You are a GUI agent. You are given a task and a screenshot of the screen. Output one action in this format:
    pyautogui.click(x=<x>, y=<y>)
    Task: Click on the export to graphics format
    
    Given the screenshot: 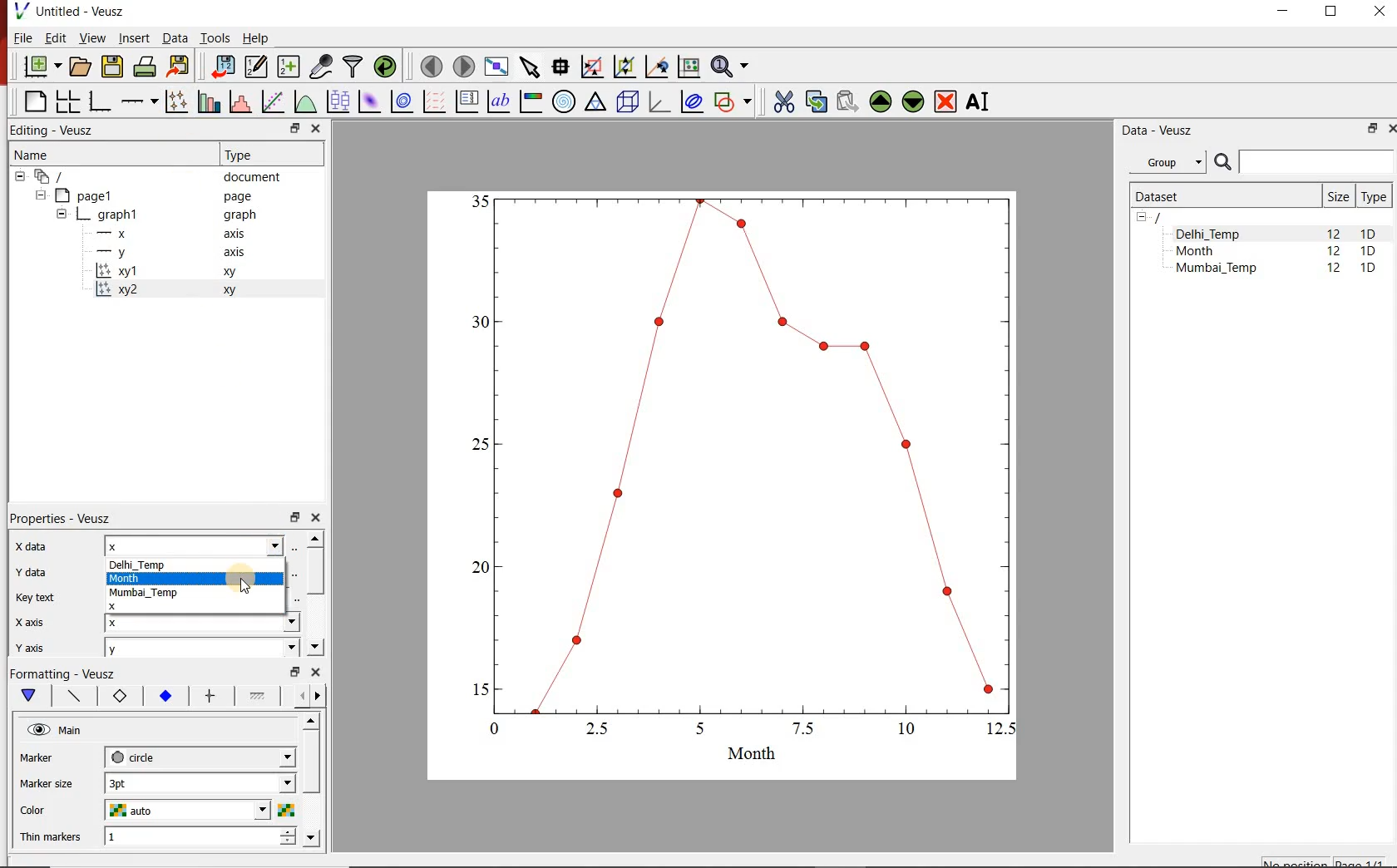 What is the action you would take?
    pyautogui.click(x=180, y=67)
    